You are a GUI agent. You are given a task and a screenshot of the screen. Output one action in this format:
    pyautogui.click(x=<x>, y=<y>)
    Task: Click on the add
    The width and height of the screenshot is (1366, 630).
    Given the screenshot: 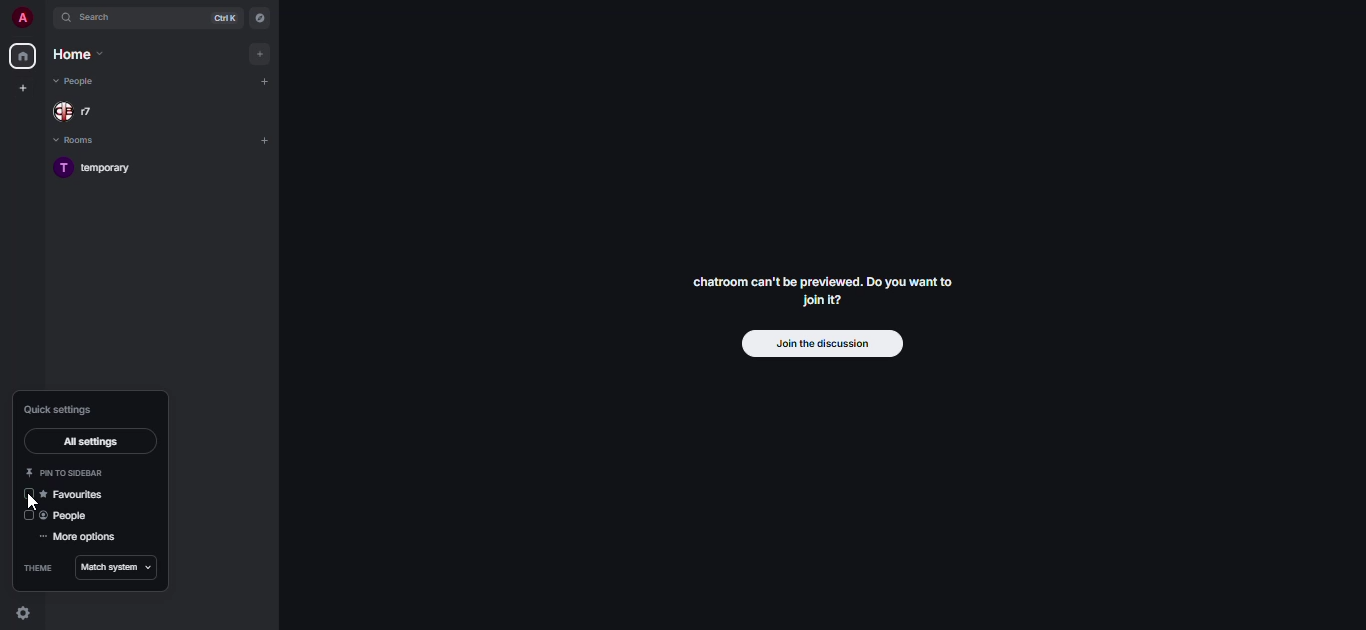 What is the action you would take?
    pyautogui.click(x=262, y=54)
    